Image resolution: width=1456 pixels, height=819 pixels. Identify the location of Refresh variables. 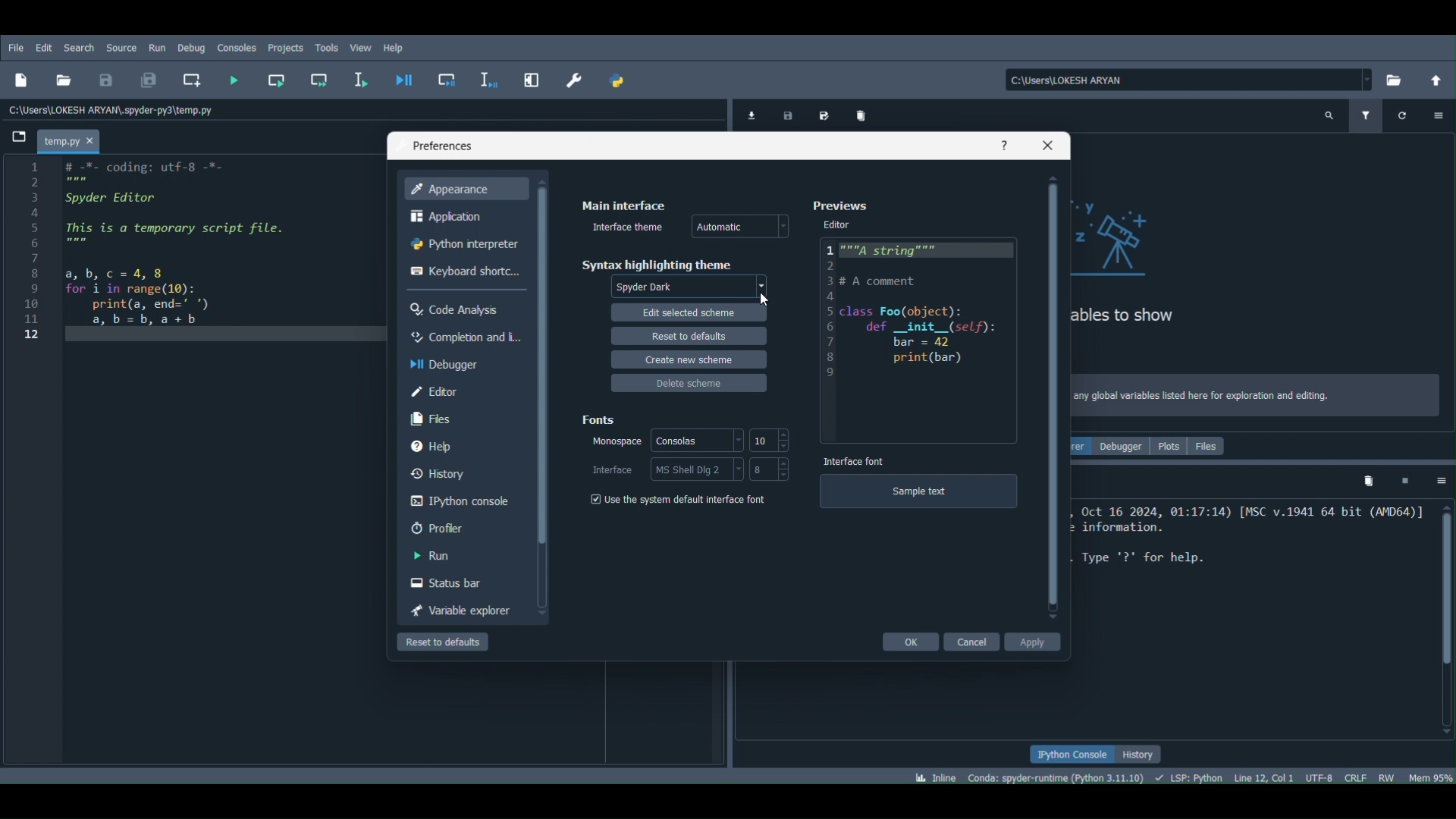
(1401, 113).